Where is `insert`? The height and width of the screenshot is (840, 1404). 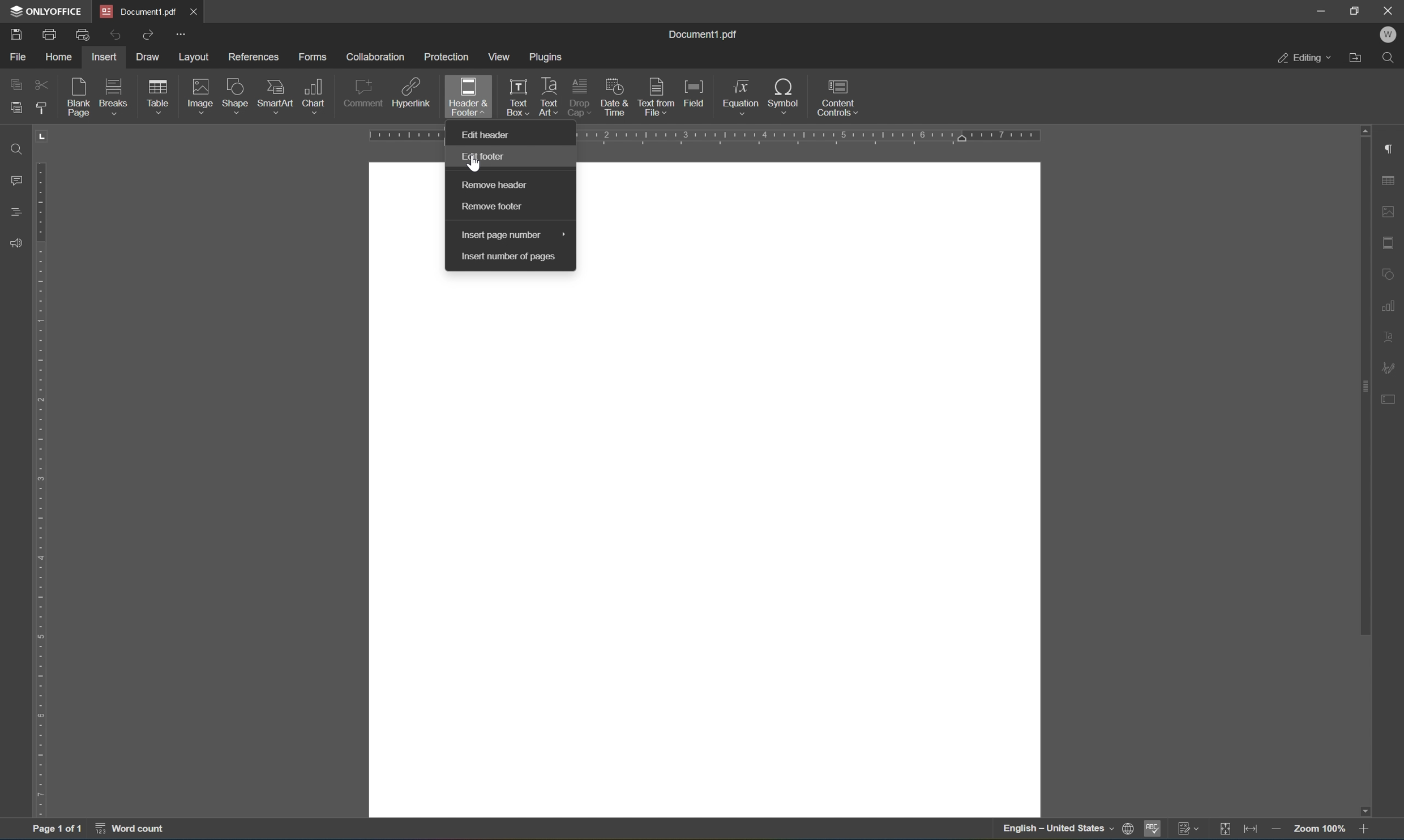 insert is located at coordinates (106, 58).